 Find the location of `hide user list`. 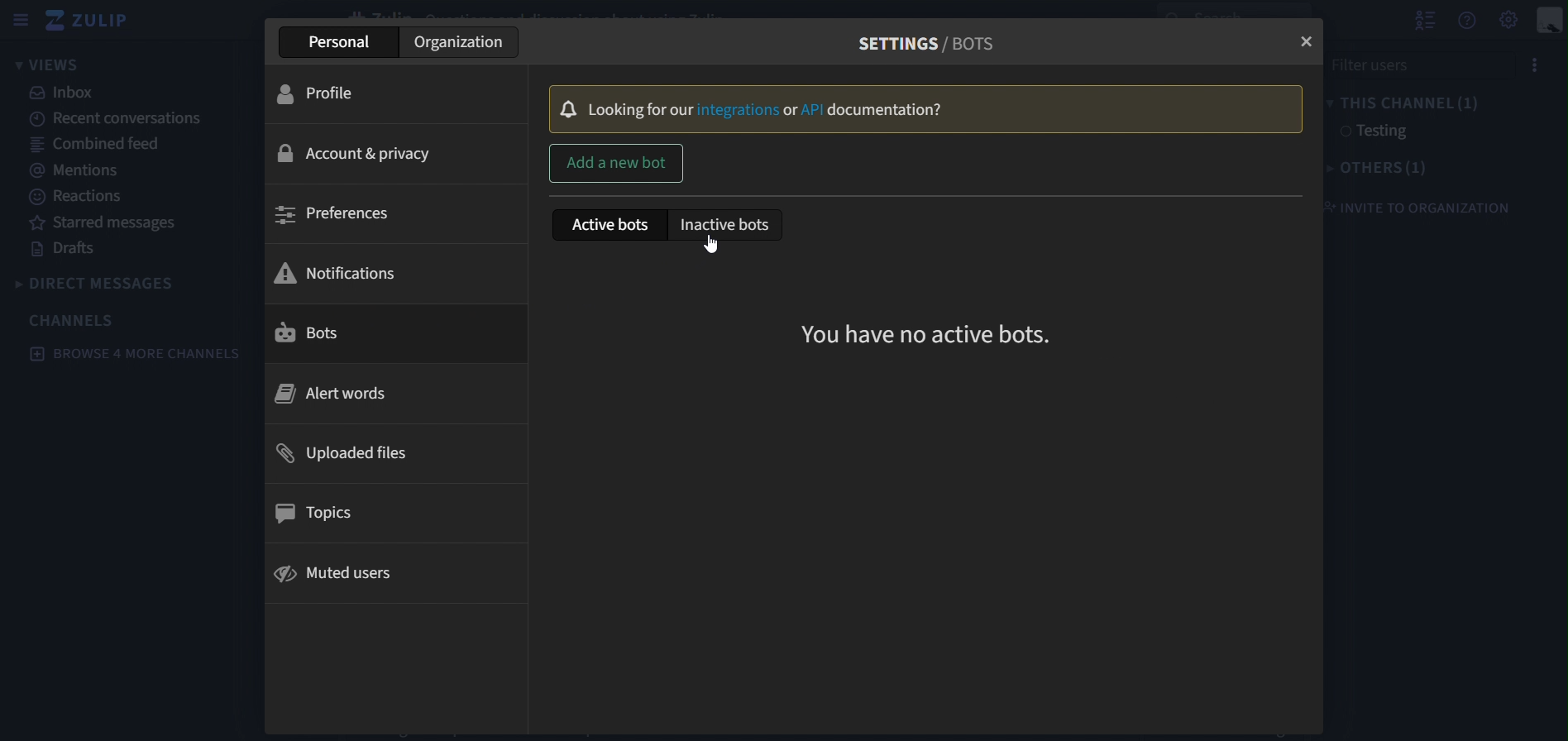

hide user list is located at coordinates (1425, 18).